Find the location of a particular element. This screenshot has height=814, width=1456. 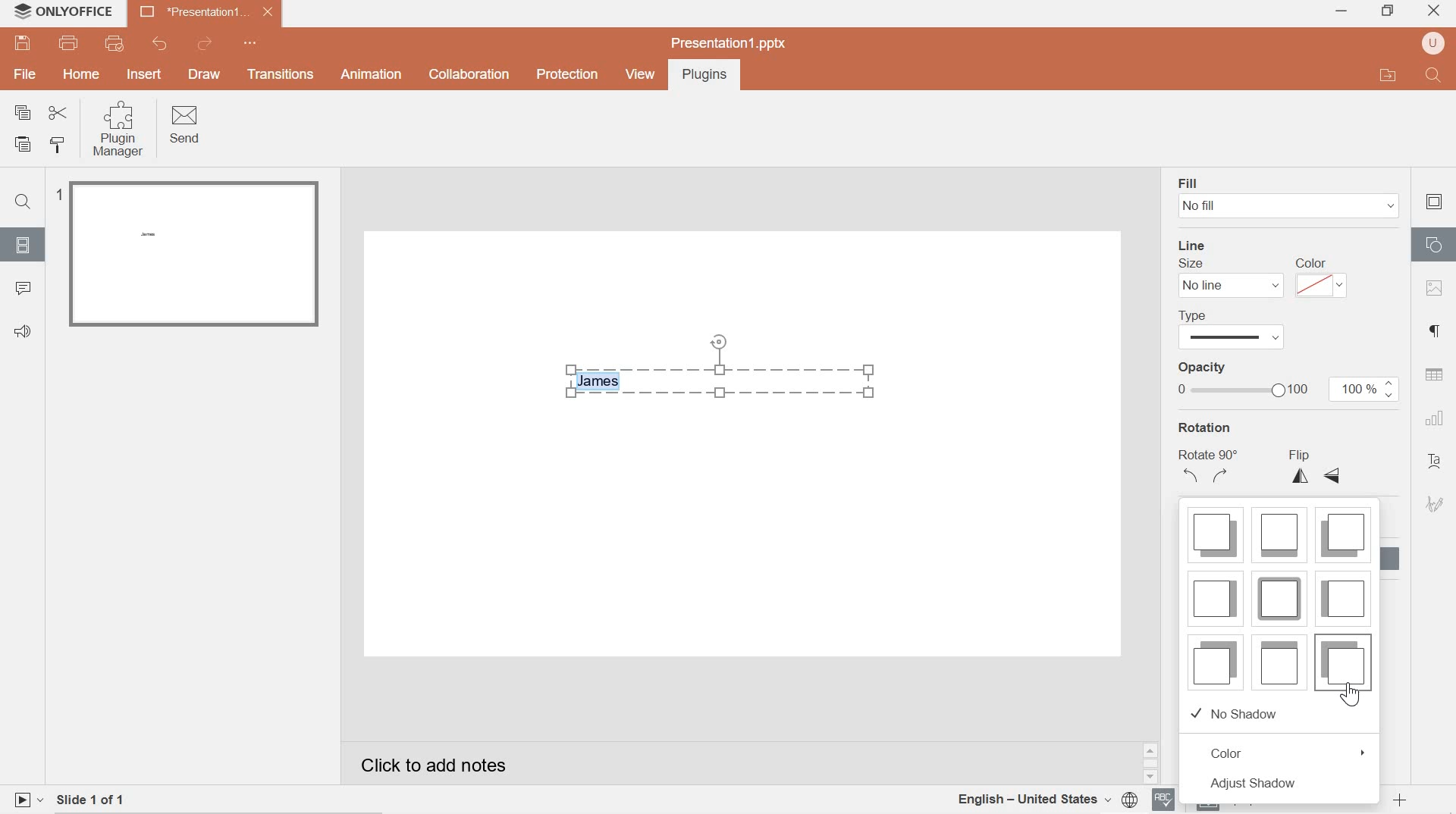

shadow style is located at coordinates (1341, 534).